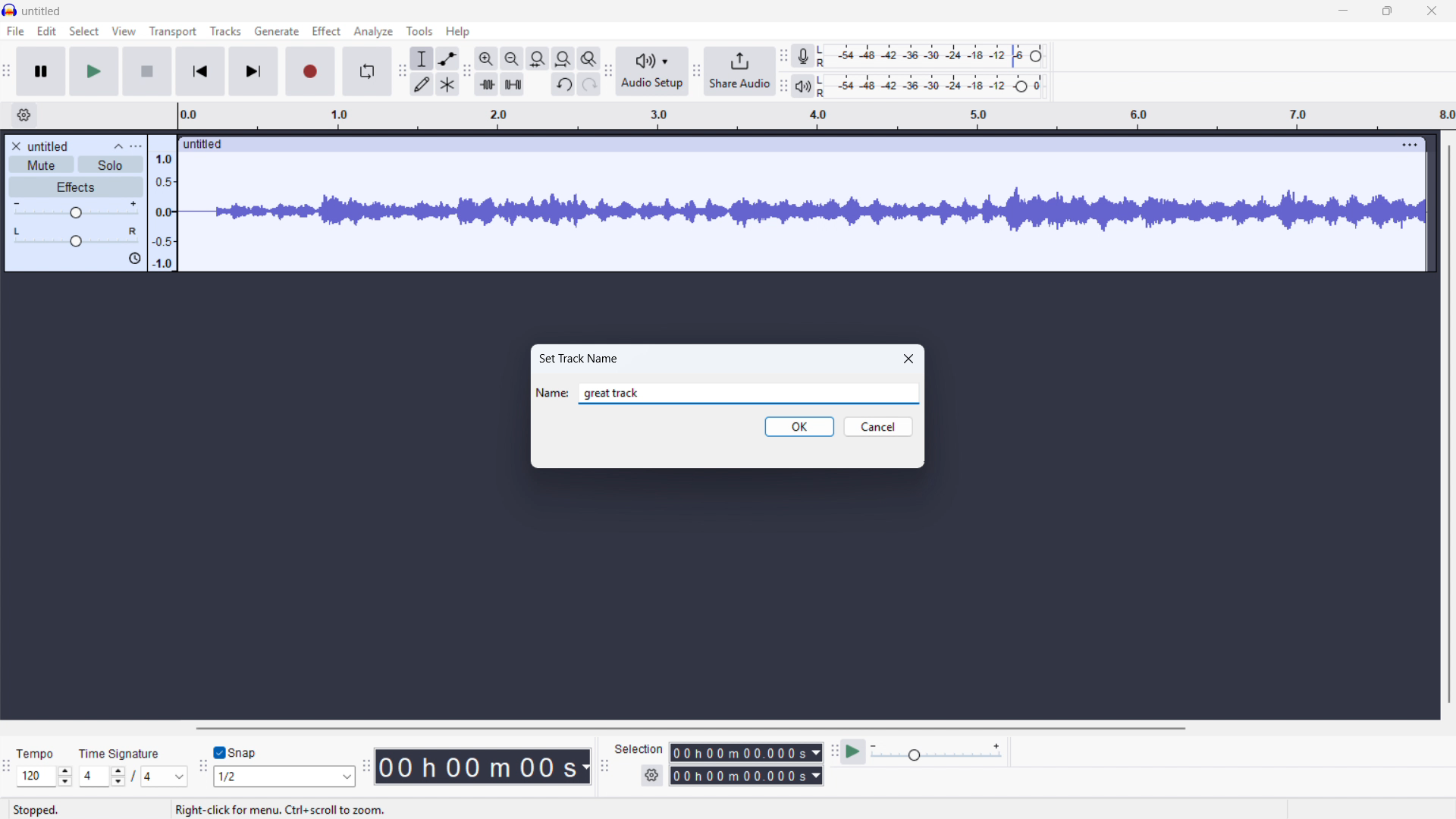 Image resolution: width=1456 pixels, height=819 pixels. Describe the element at coordinates (810, 115) in the screenshot. I see `Timeline ` at that location.